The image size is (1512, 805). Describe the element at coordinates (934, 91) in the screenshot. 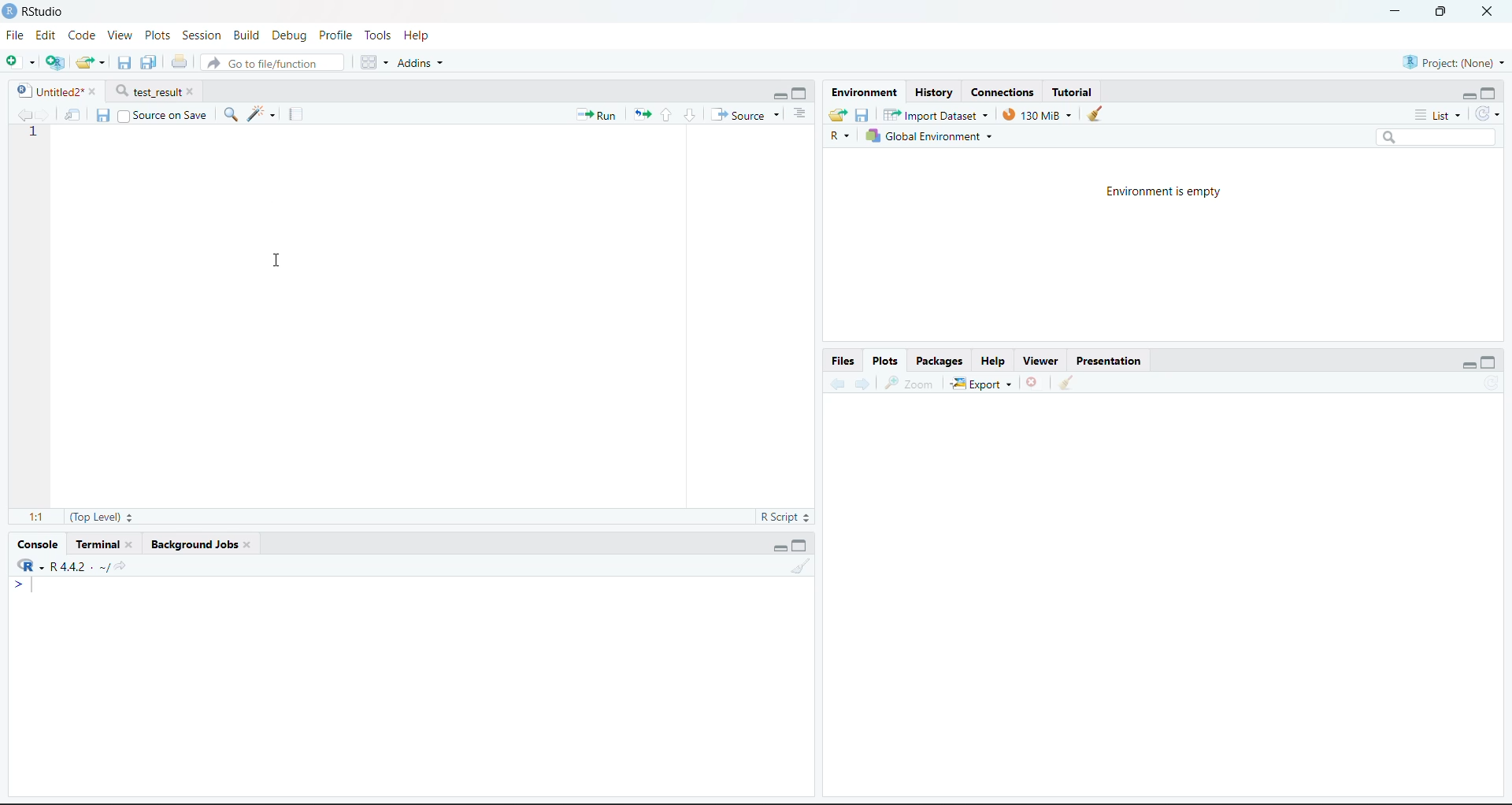

I see `History` at that location.